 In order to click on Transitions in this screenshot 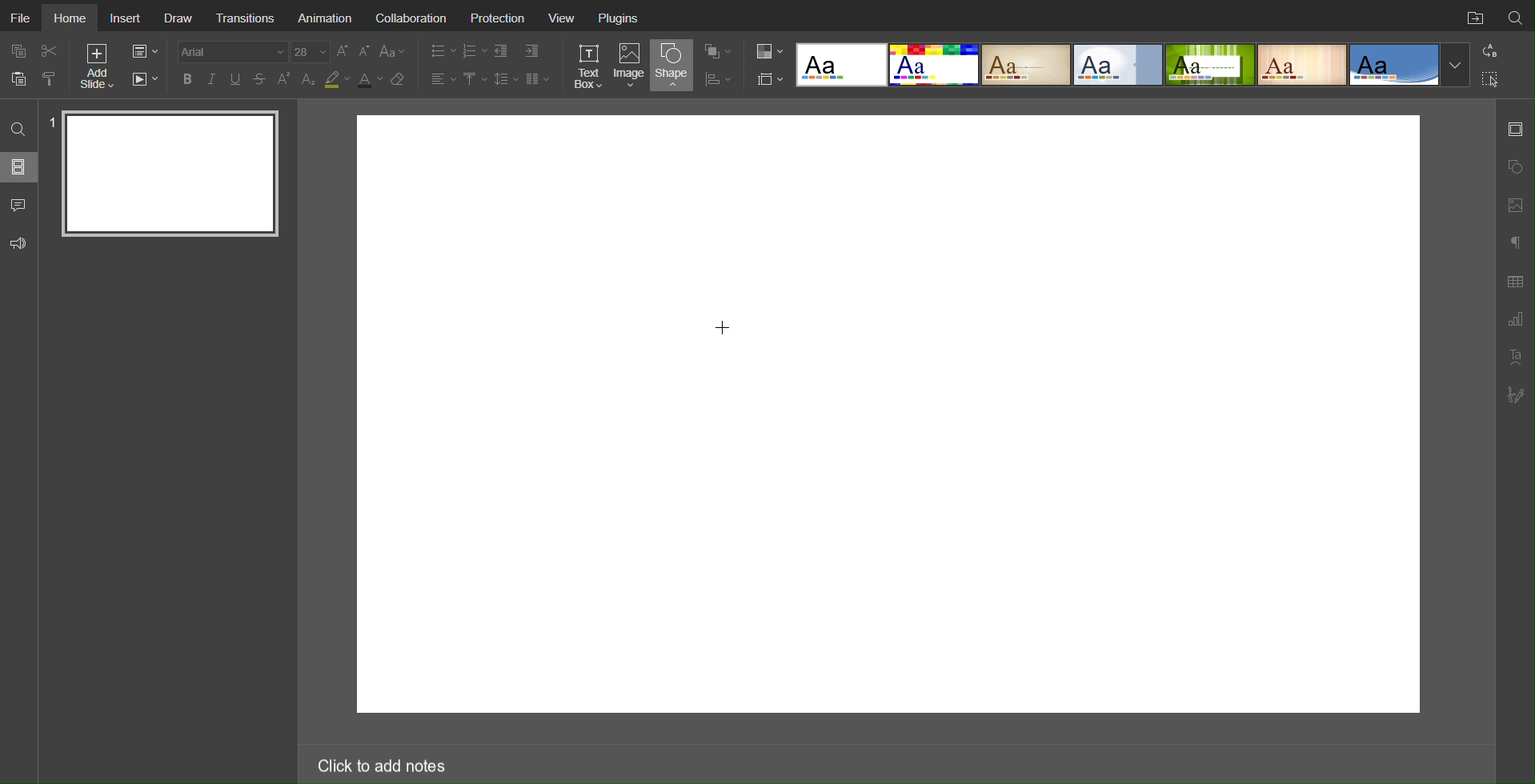, I will do `click(246, 16)`.